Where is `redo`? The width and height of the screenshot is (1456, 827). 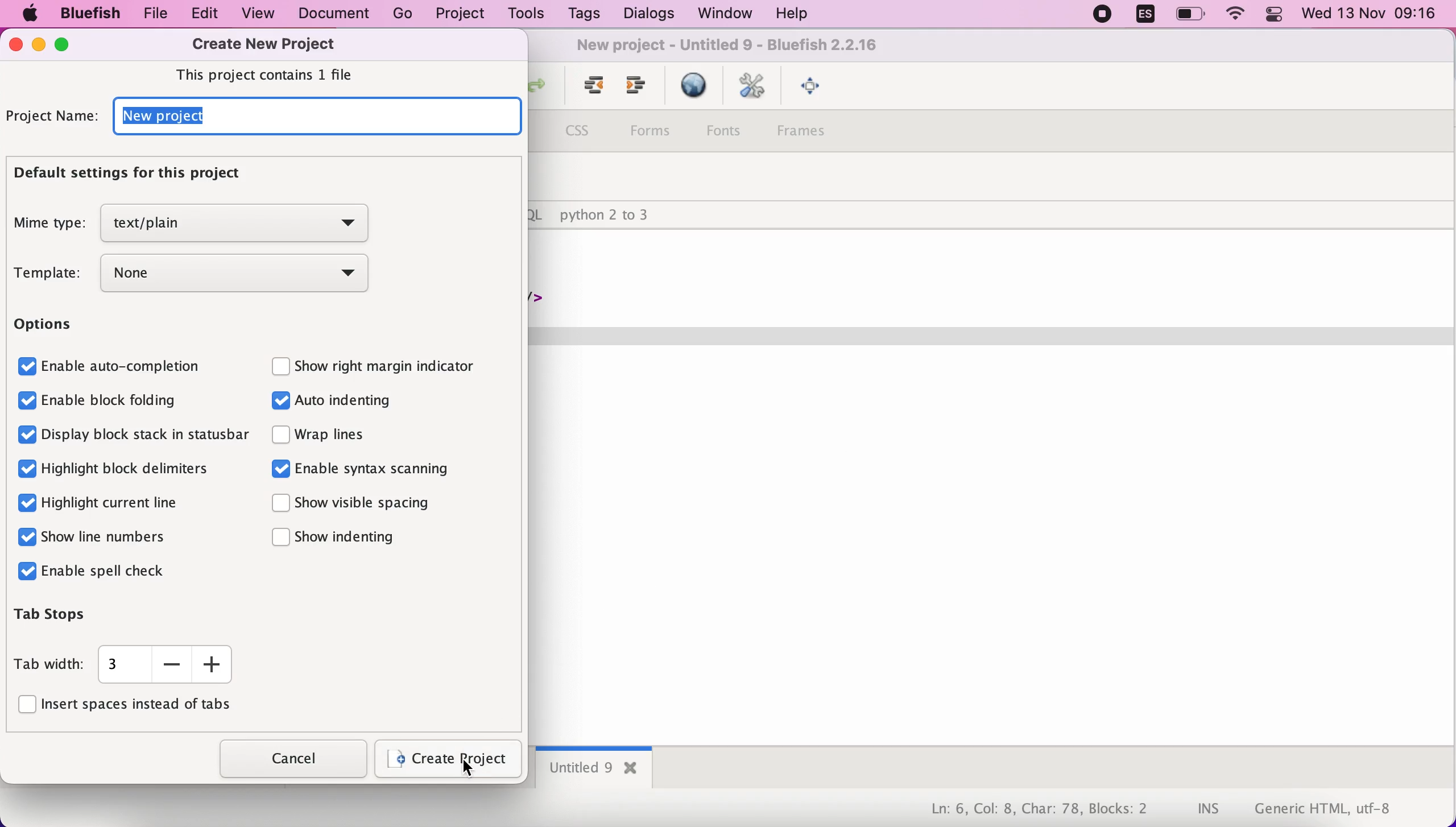
redo is located at coordinates (544, 89).